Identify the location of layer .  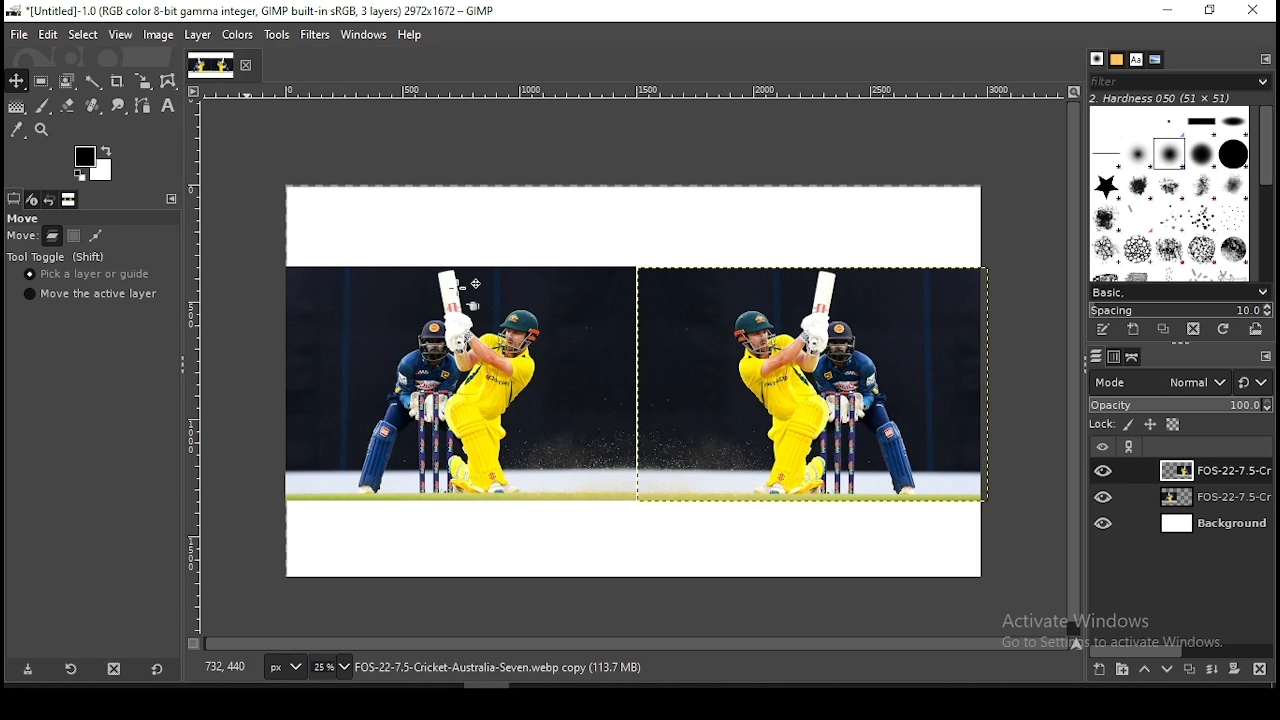
(1211, 470).